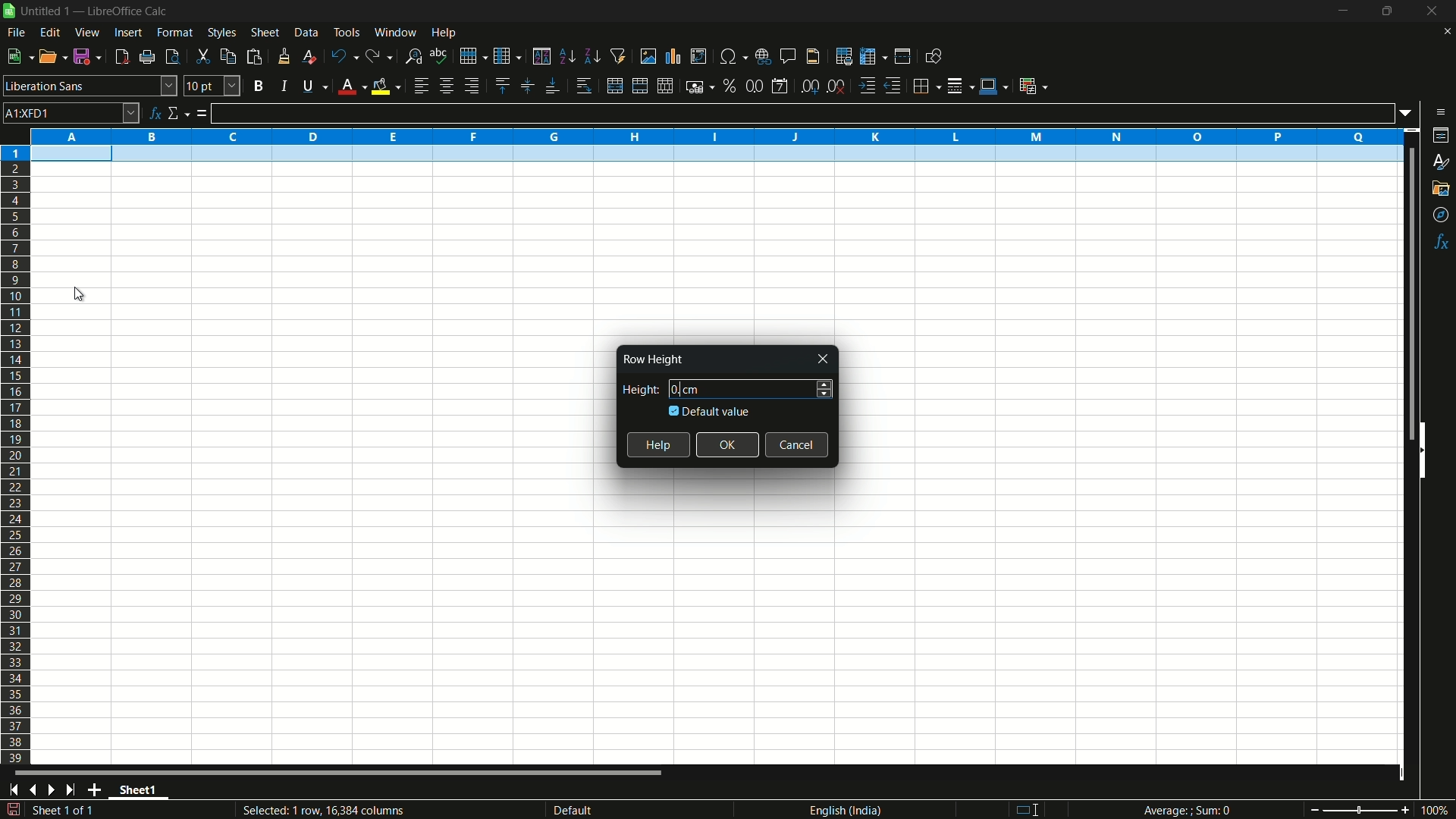 Image resolution: width=1456 pixels, height=819 pixels. I want to click on insert menu, so click(127, 33).